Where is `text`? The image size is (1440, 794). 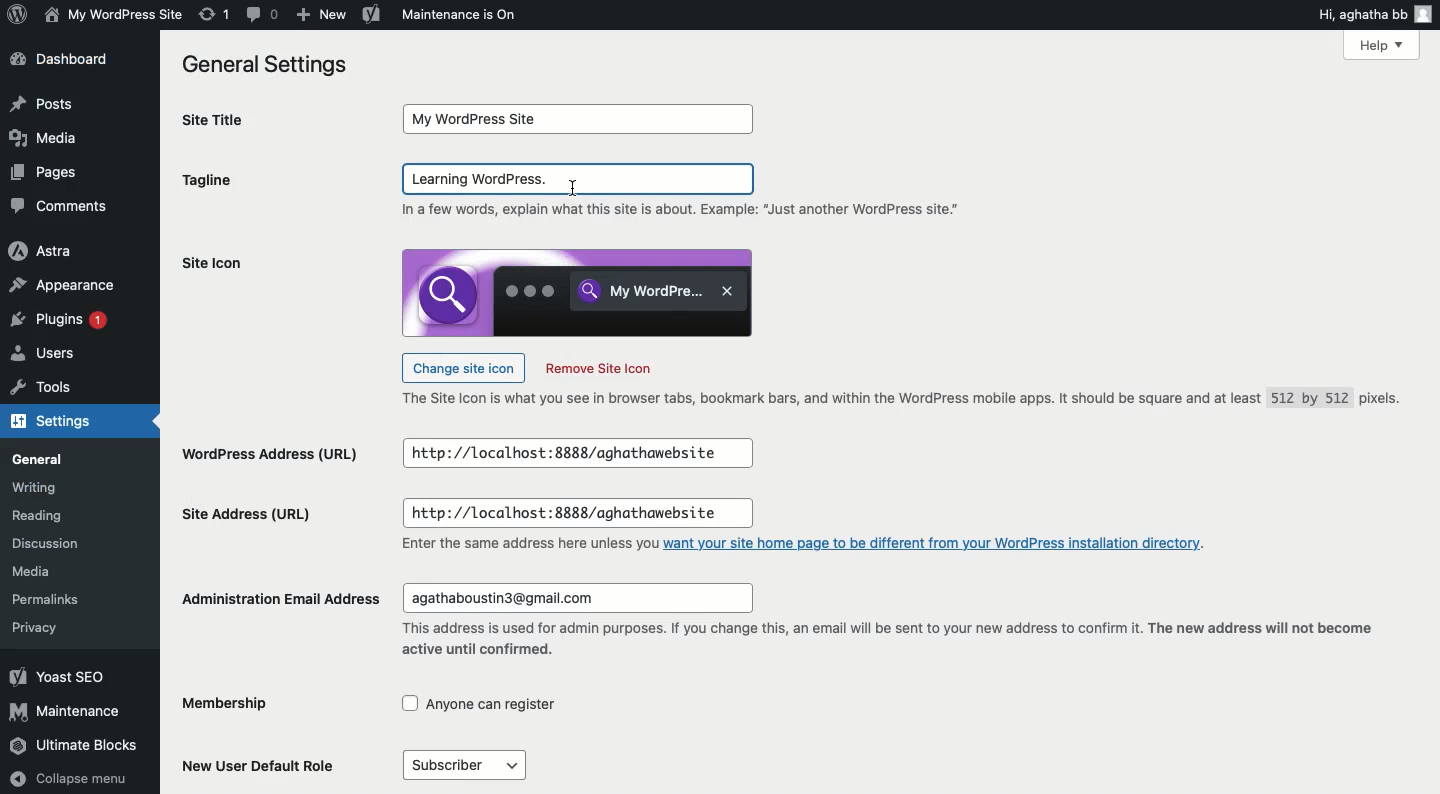 text is located at coordinates (884, 642).